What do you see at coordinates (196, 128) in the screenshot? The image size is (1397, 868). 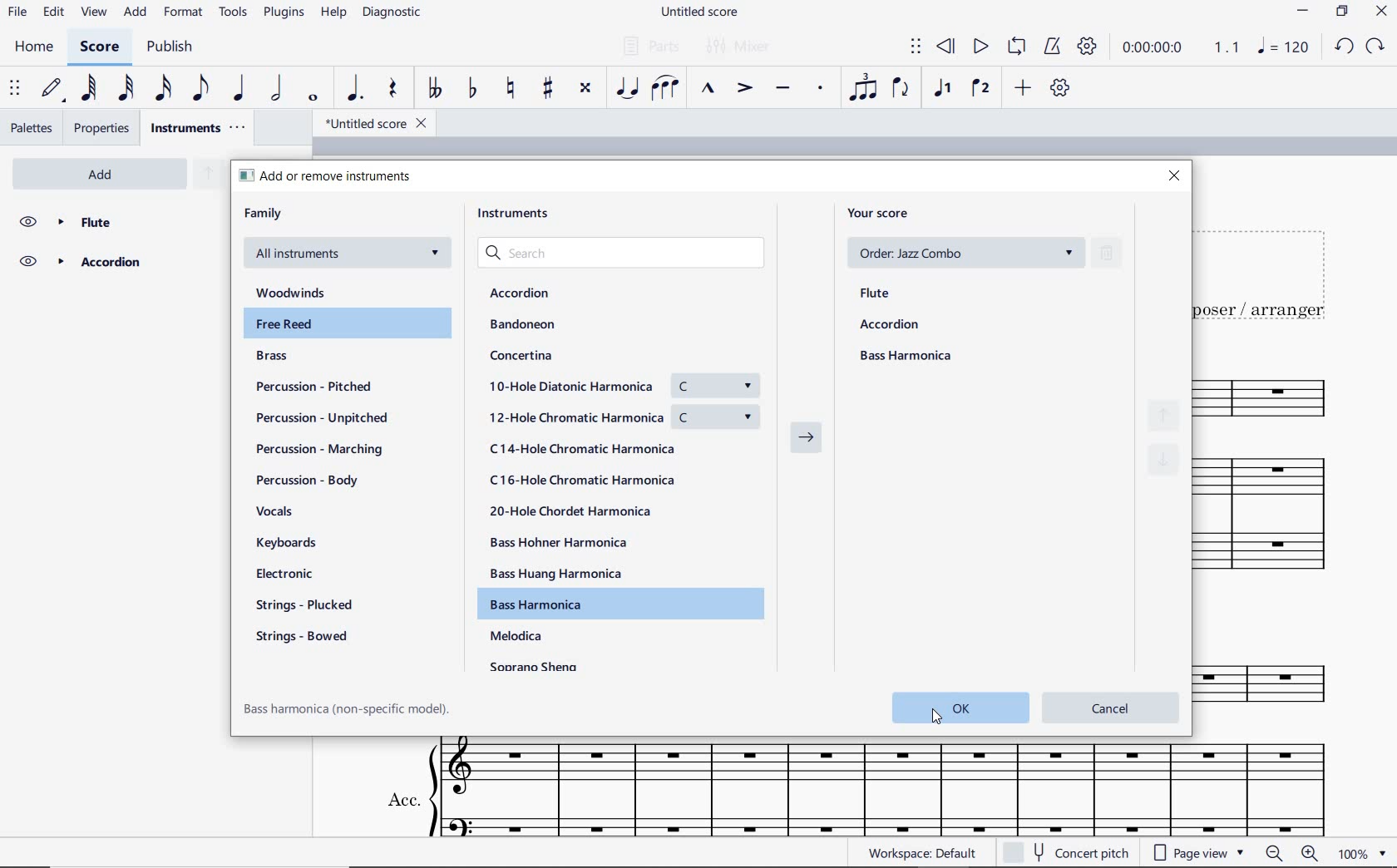 I see `instruments` at bounding box center [196, 128].